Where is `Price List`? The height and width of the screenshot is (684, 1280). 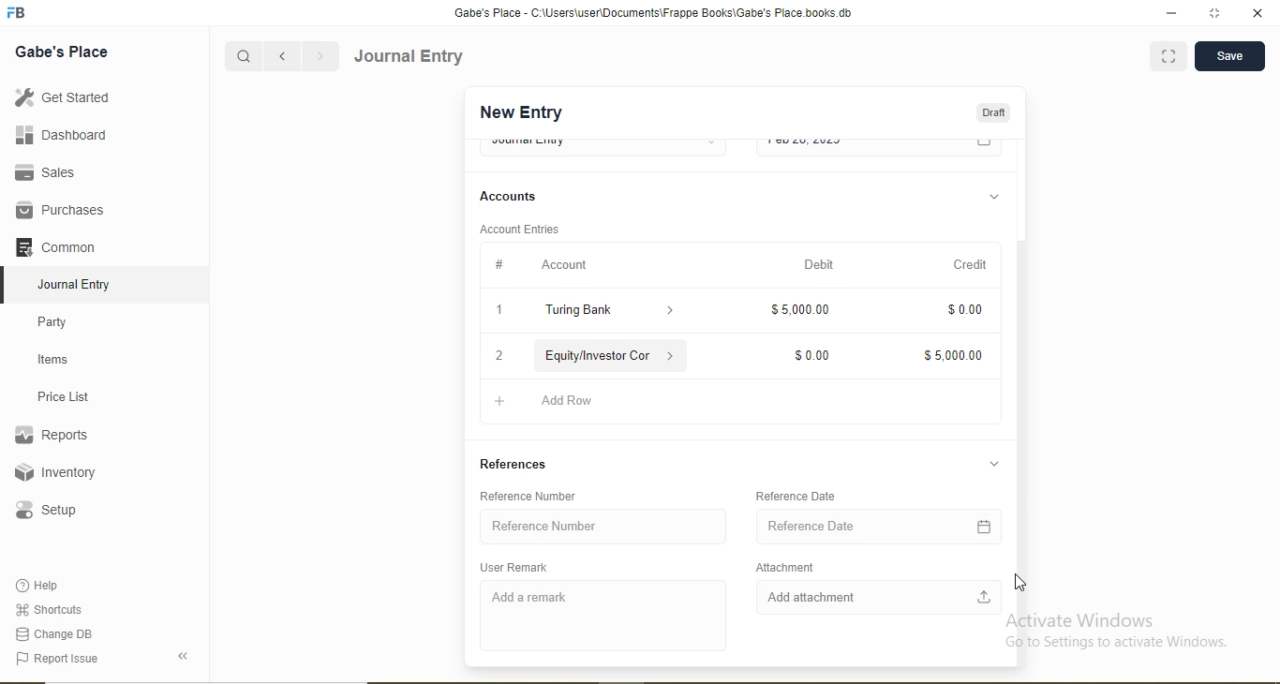 Price List is located at coordinates (62, 397).